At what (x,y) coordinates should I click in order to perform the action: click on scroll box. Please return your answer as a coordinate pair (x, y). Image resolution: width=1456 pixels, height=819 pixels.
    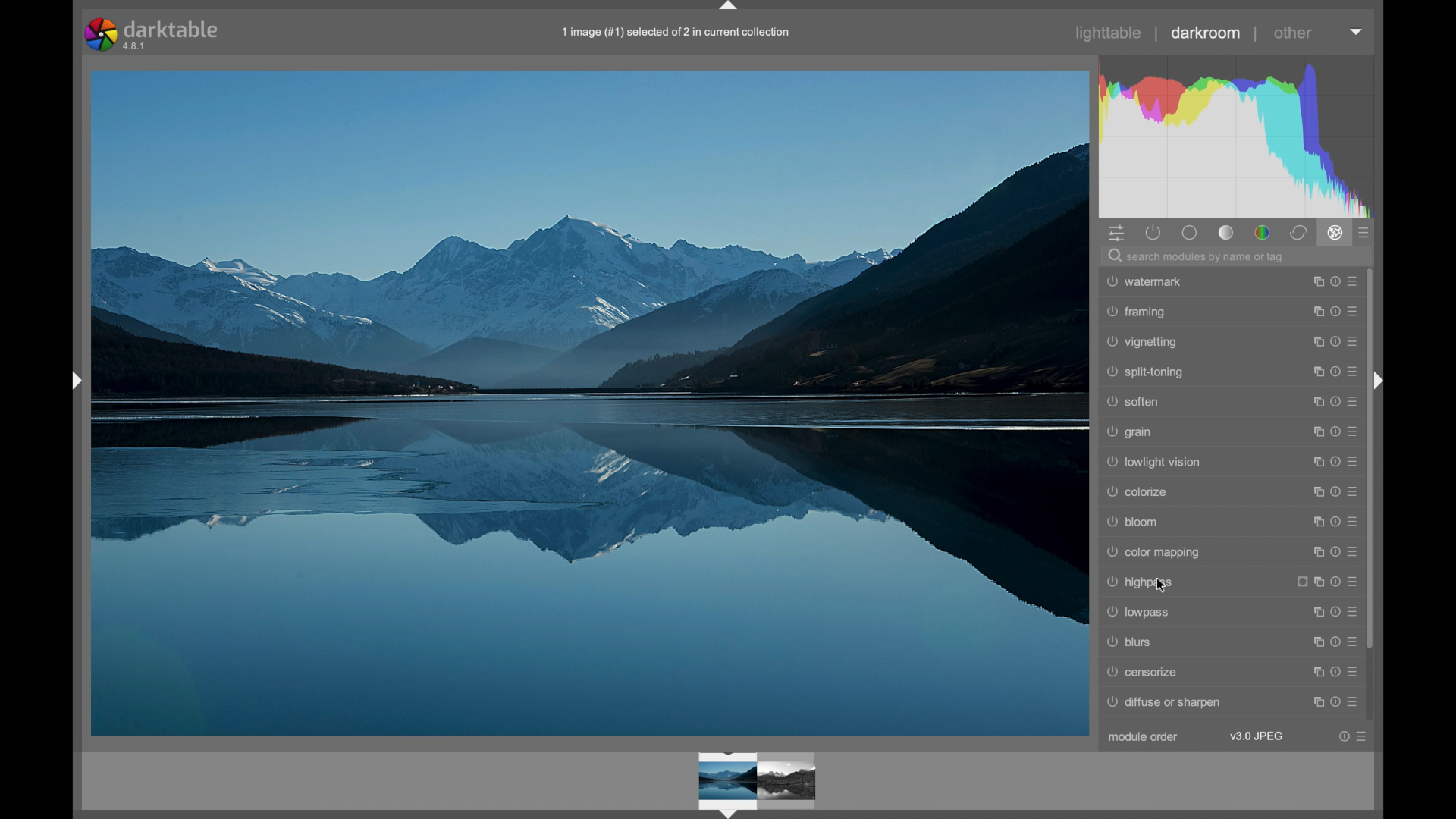
    Looking at the image, I should click on (1376, 459).